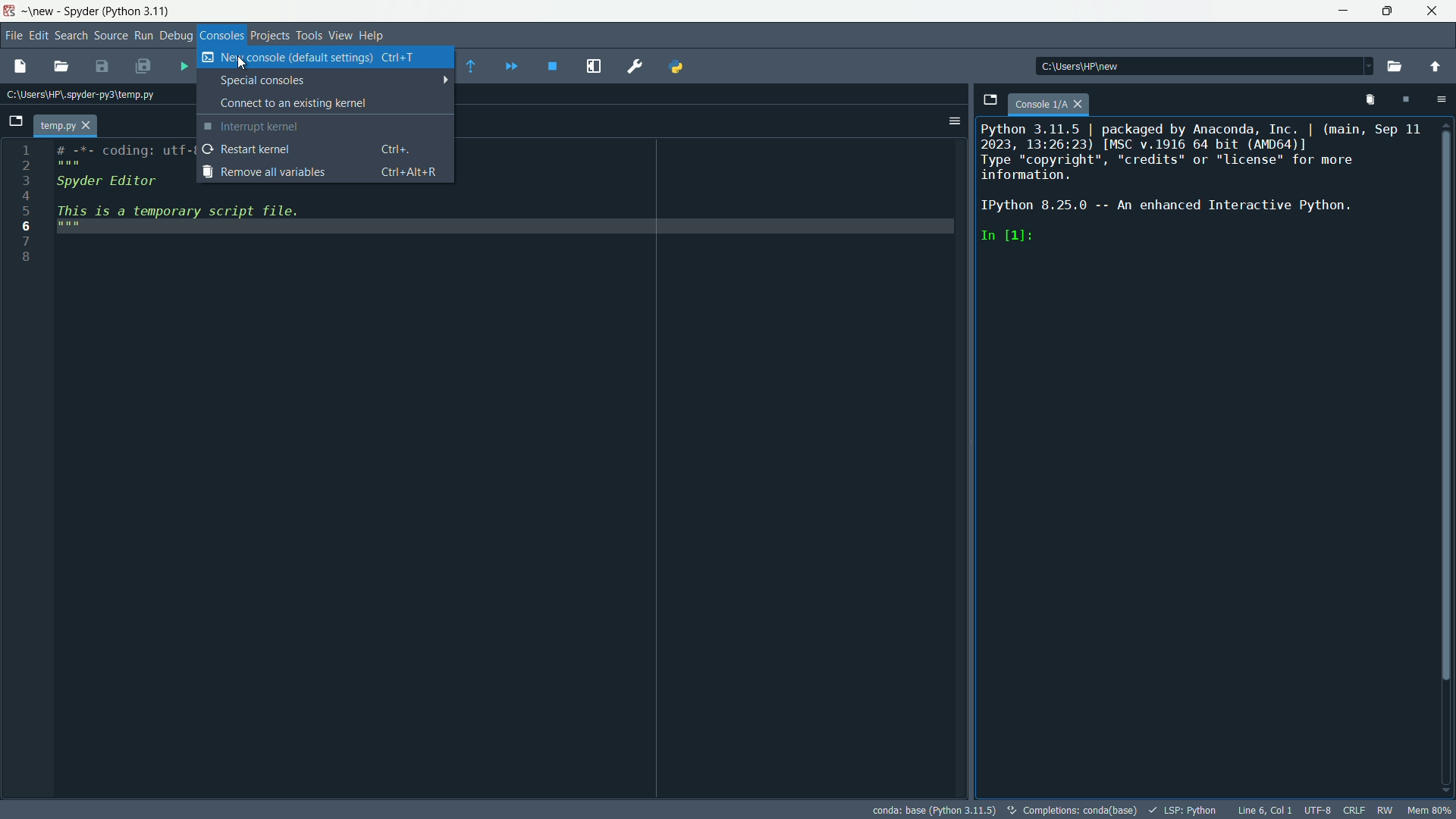 This screenshot has height=819, width=1456. What do you see at coordinates (593, 66) in the screenshot?
I see `maximize current pane` at bounding box center [593, 66].